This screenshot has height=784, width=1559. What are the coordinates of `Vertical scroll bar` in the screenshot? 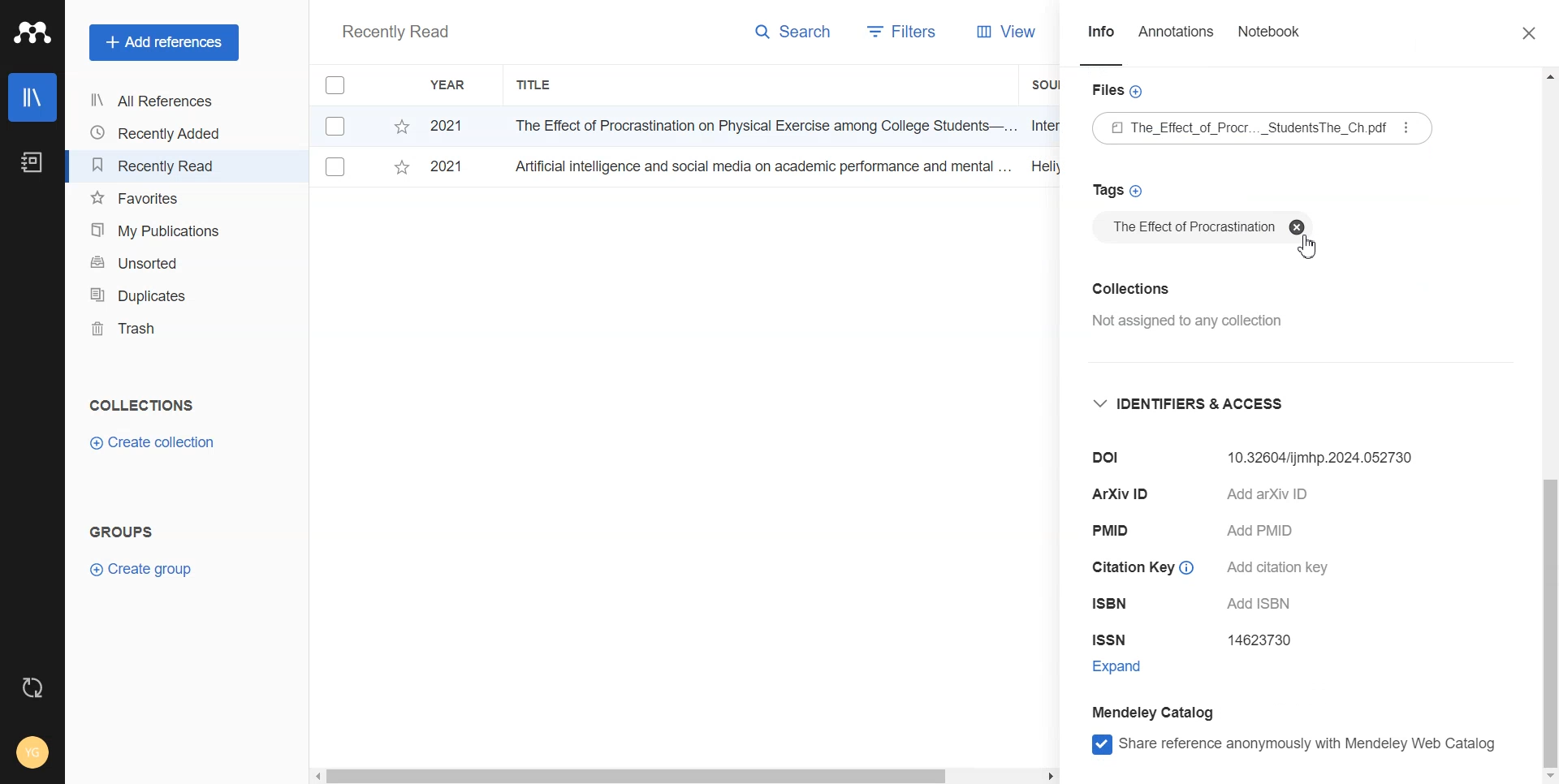 It's located at (1549, 426).